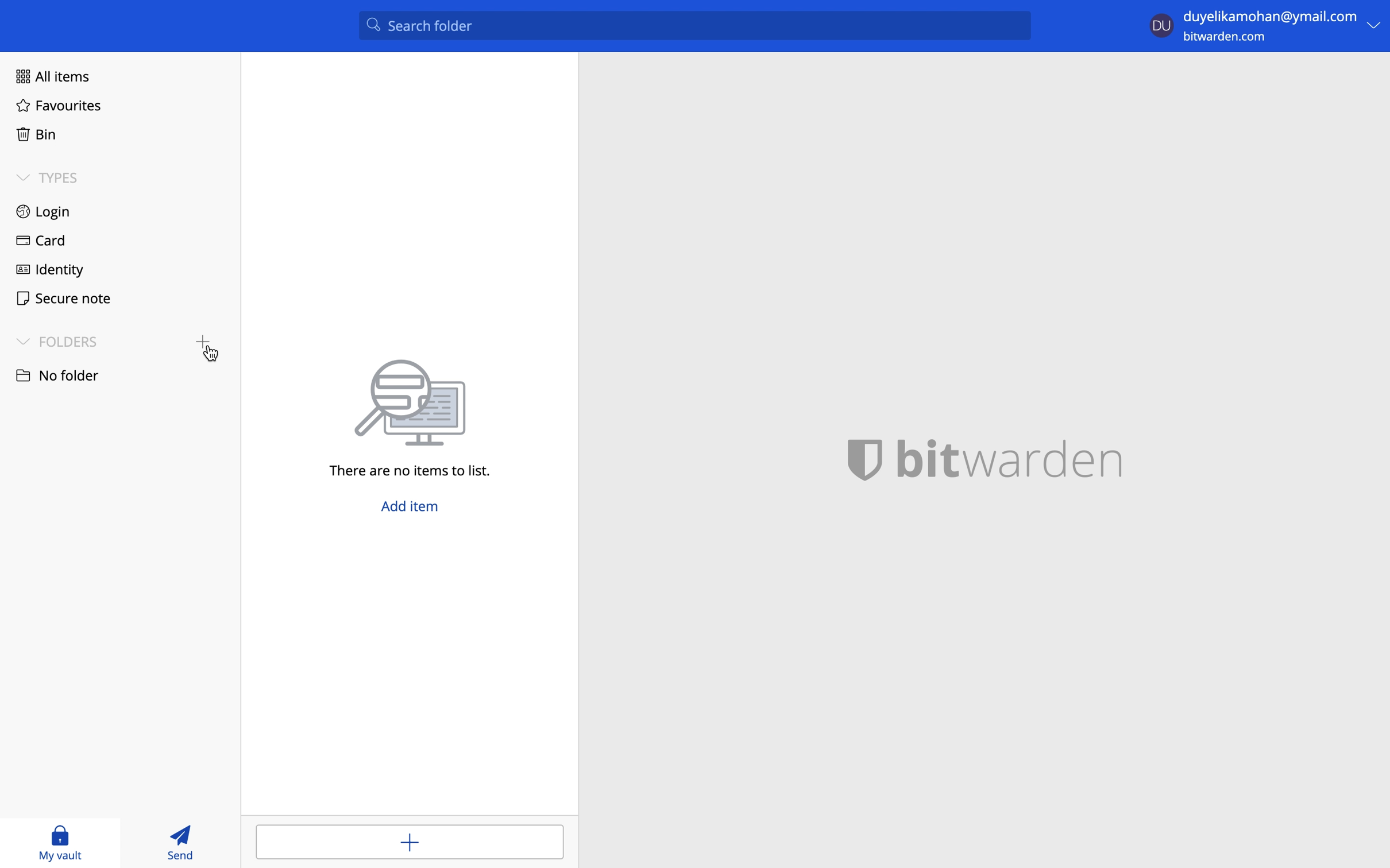  What do you see at coordinates (44, 212) in the screenshot?
I see `login` at bounding box center [44, 212].